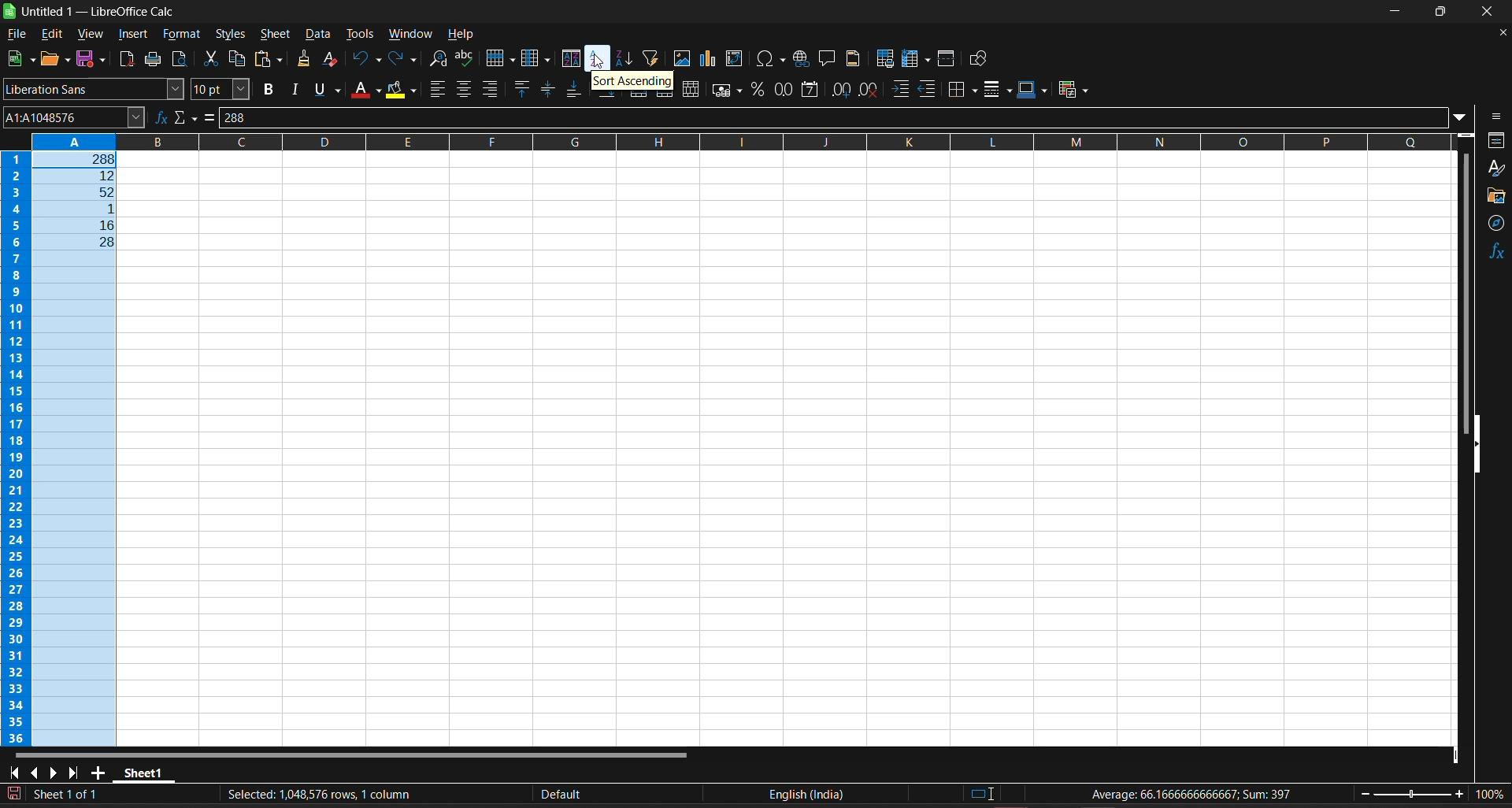 The height and width of the screenshot is (808, 1512). I want to click on unmerge cells, so click(691, 87).